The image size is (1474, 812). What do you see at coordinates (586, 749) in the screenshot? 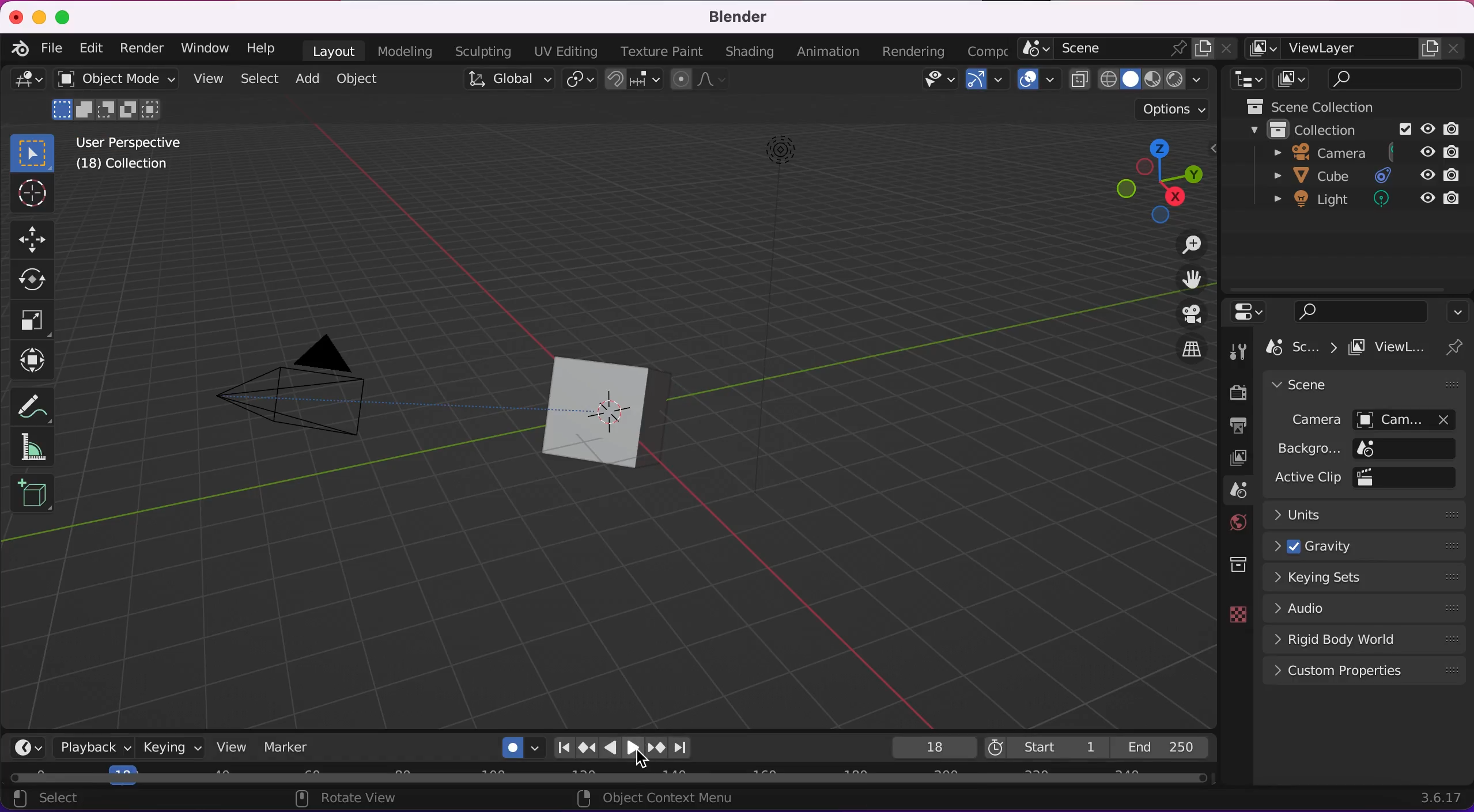
I see `jump to keyframe` at bounding box center [586, 749].